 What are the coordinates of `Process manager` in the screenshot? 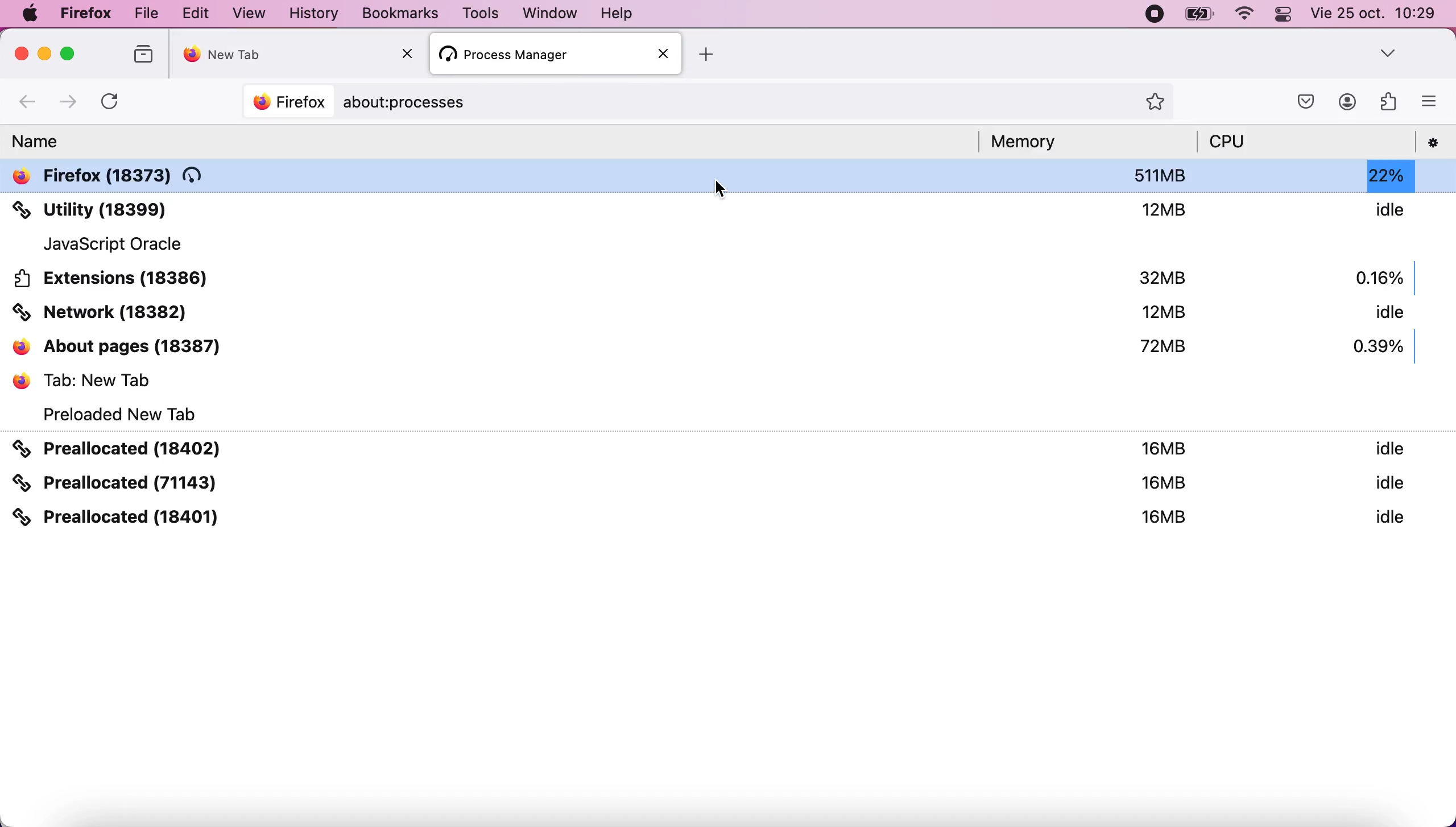 It's located at (556, 54).